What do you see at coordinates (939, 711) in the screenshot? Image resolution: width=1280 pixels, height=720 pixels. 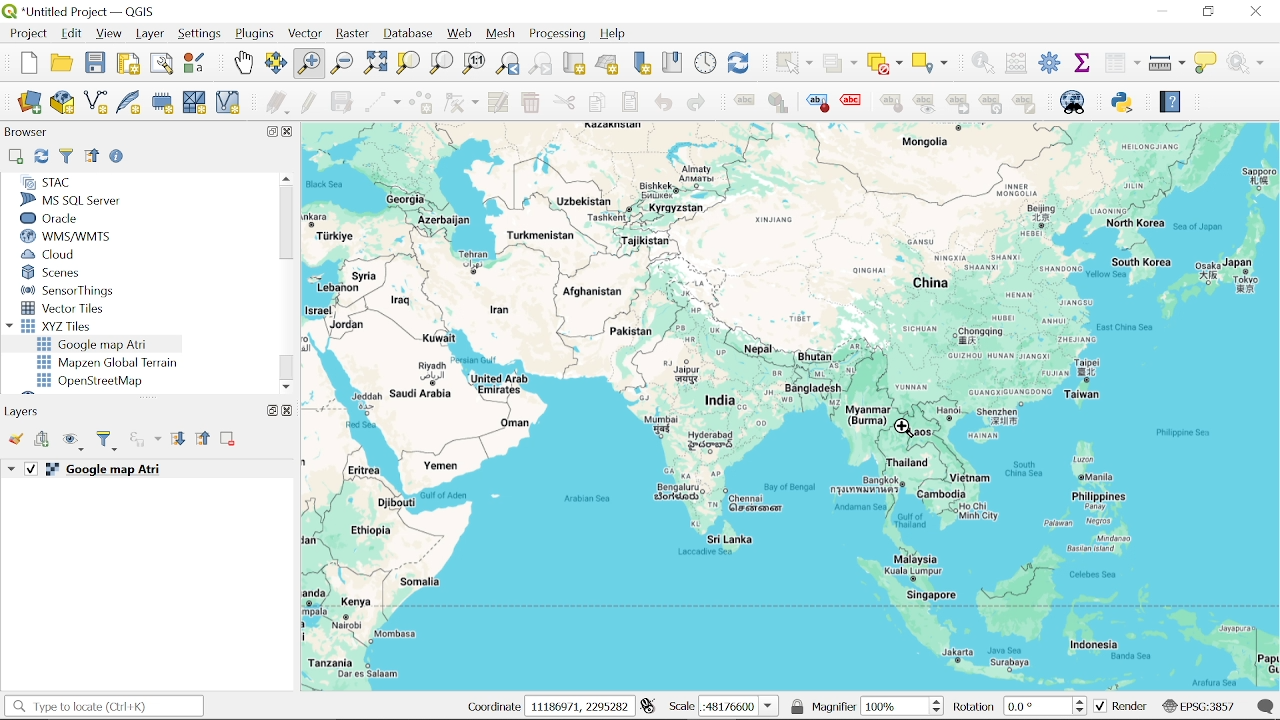 I see `Decrease` at bounding box center [939, 711].